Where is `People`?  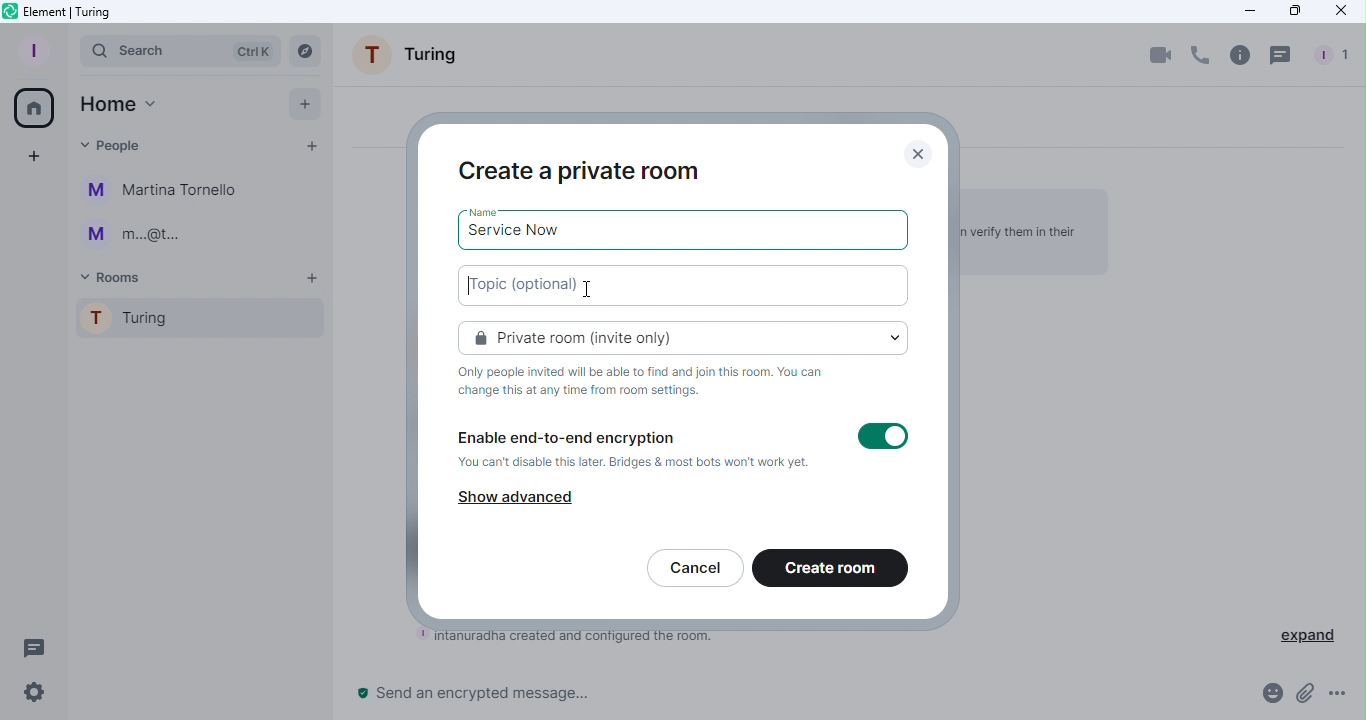 People is located at coordinates (114, 142).